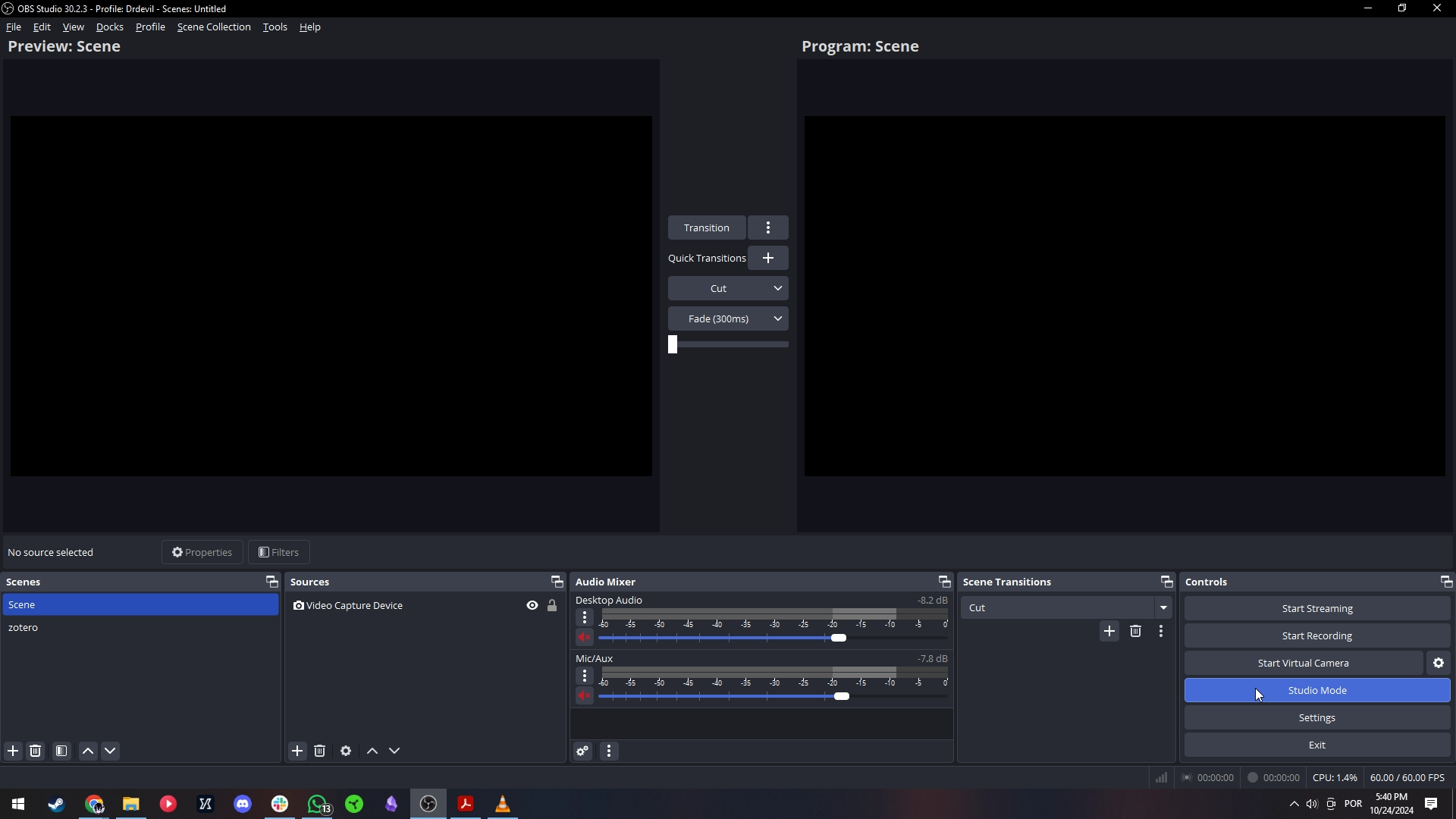  What do you see at coordinates (729, 318) in the screenshot?
I see `Transition menu 2` at bounding box center [729, 318].